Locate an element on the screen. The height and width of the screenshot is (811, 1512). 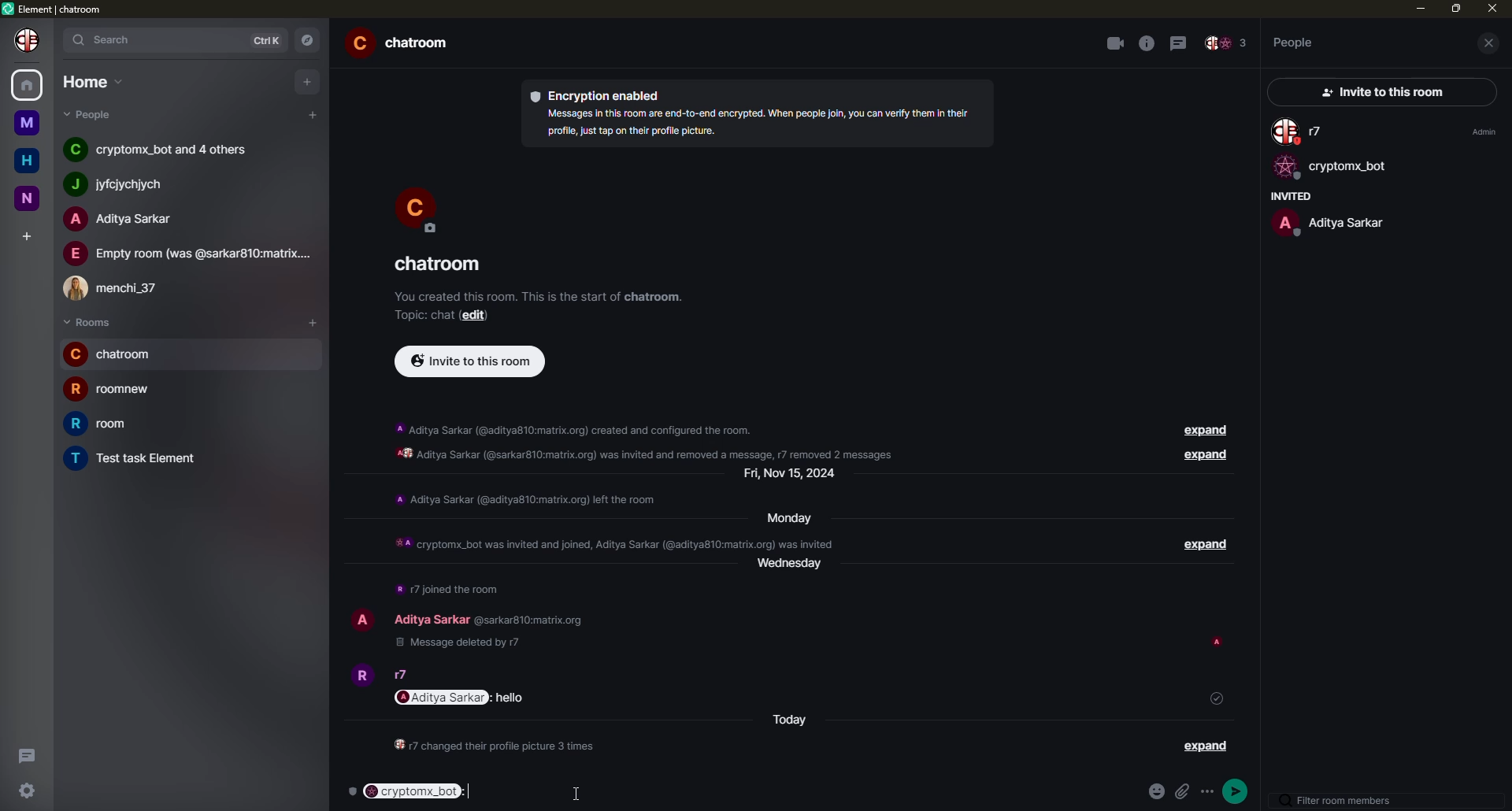
search is located at coordinates (109, 39).